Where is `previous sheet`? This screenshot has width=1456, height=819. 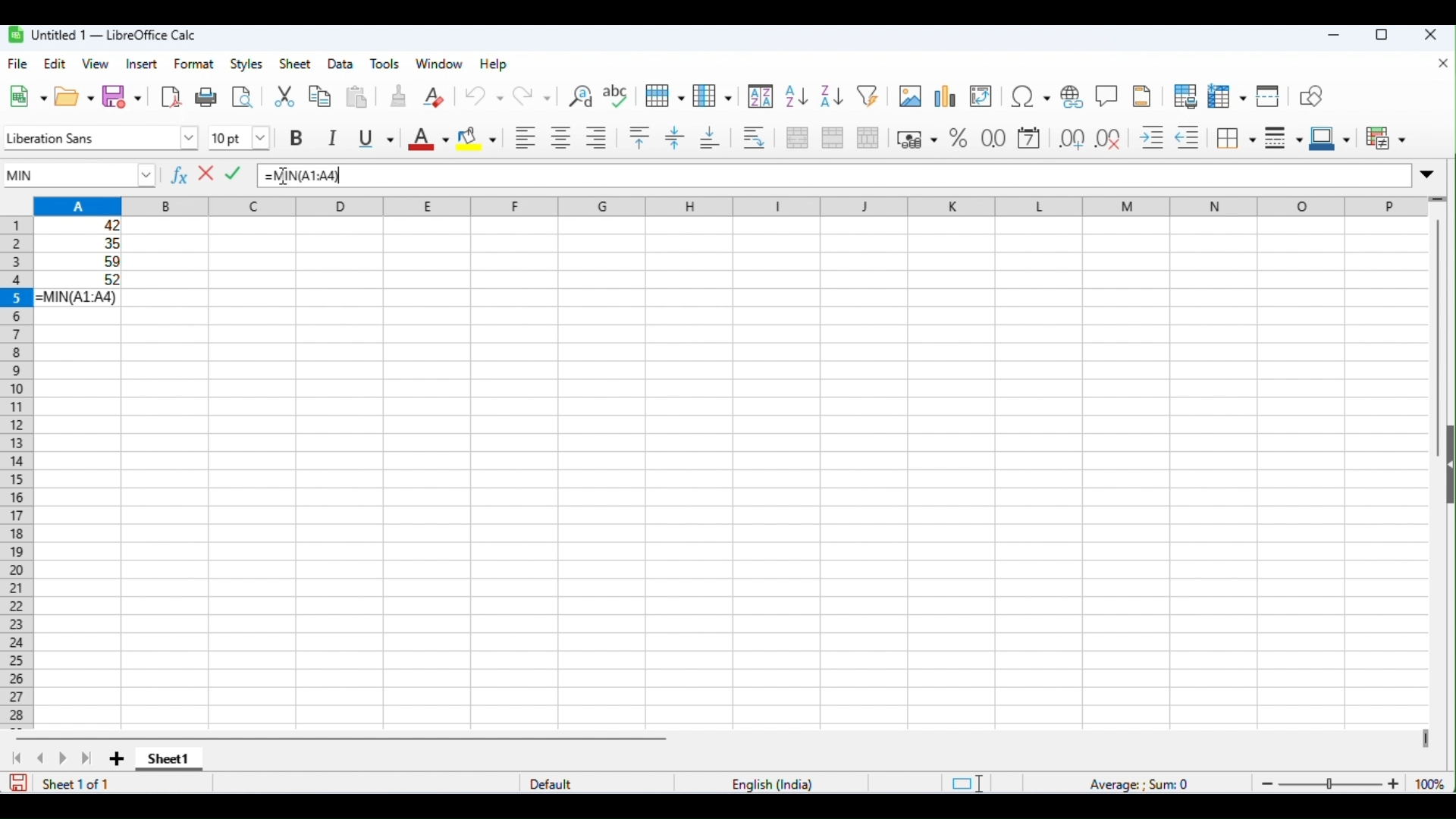 previous sheet is located at coordinates (42, 758).